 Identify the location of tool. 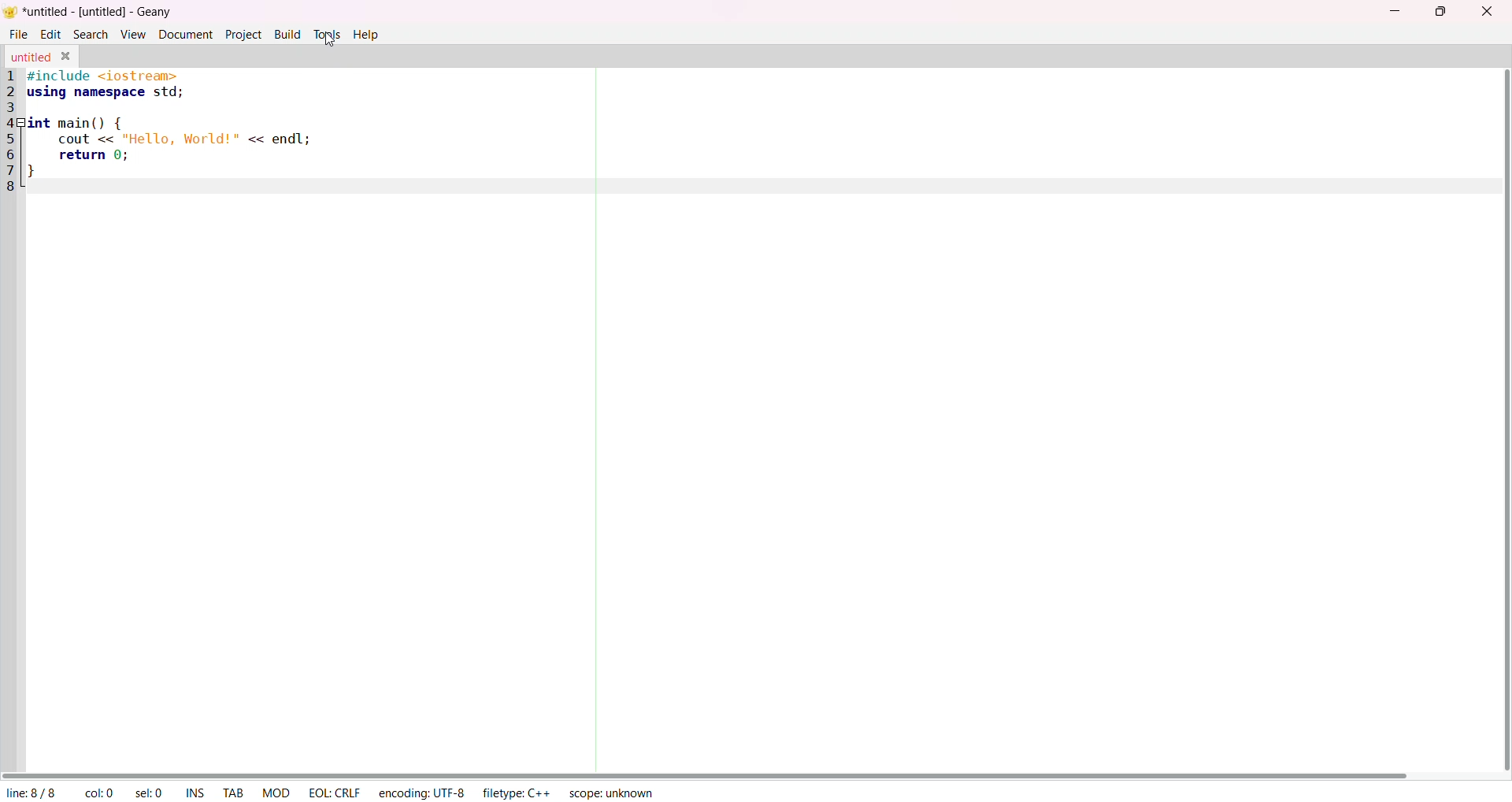
(326, 33).